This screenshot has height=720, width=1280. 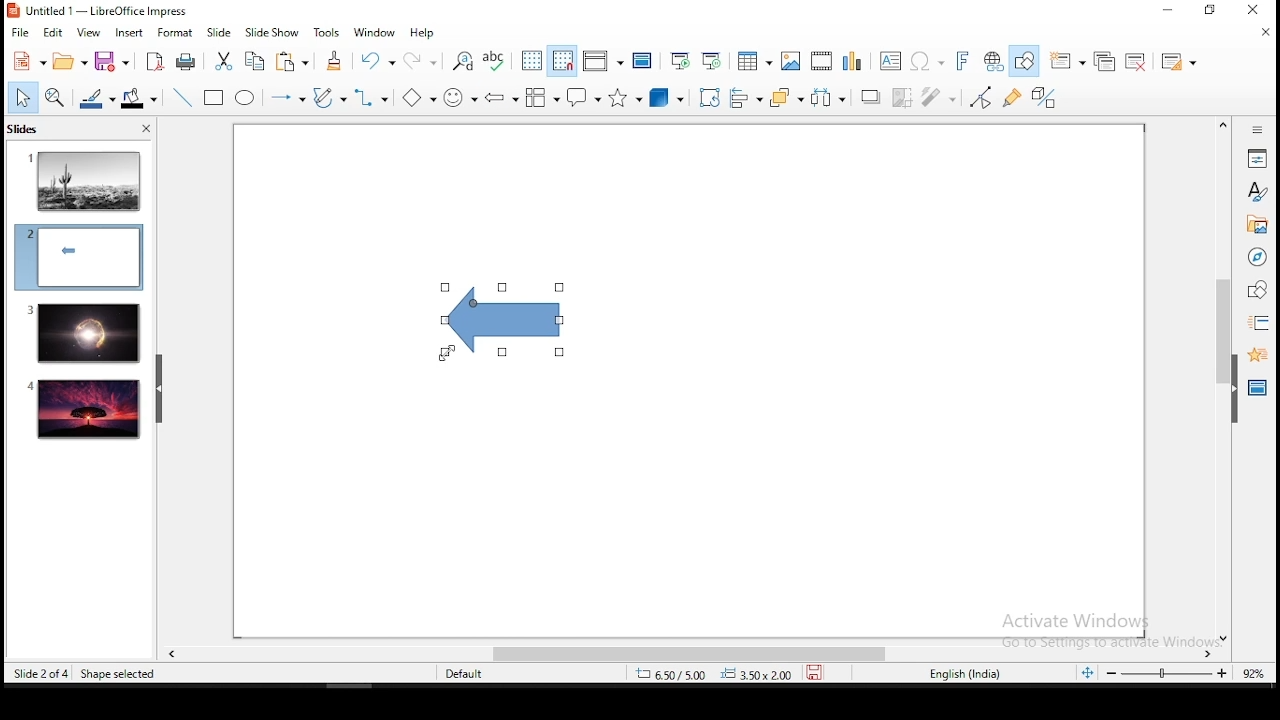 I want to click on shadow, so click(x=870, y=95).